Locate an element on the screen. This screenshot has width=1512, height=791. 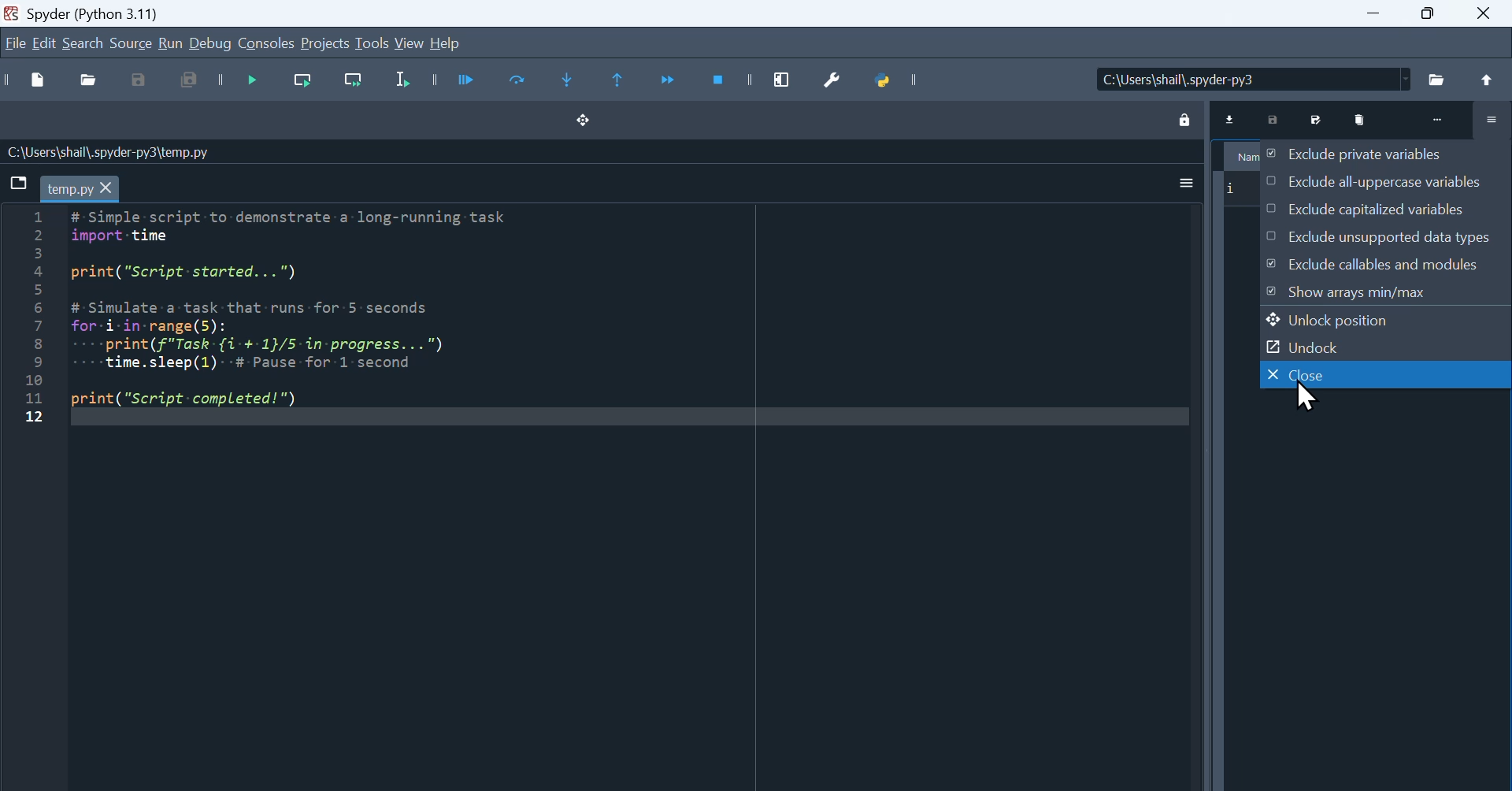
Cursor  is located at coordinates (1308, 397).